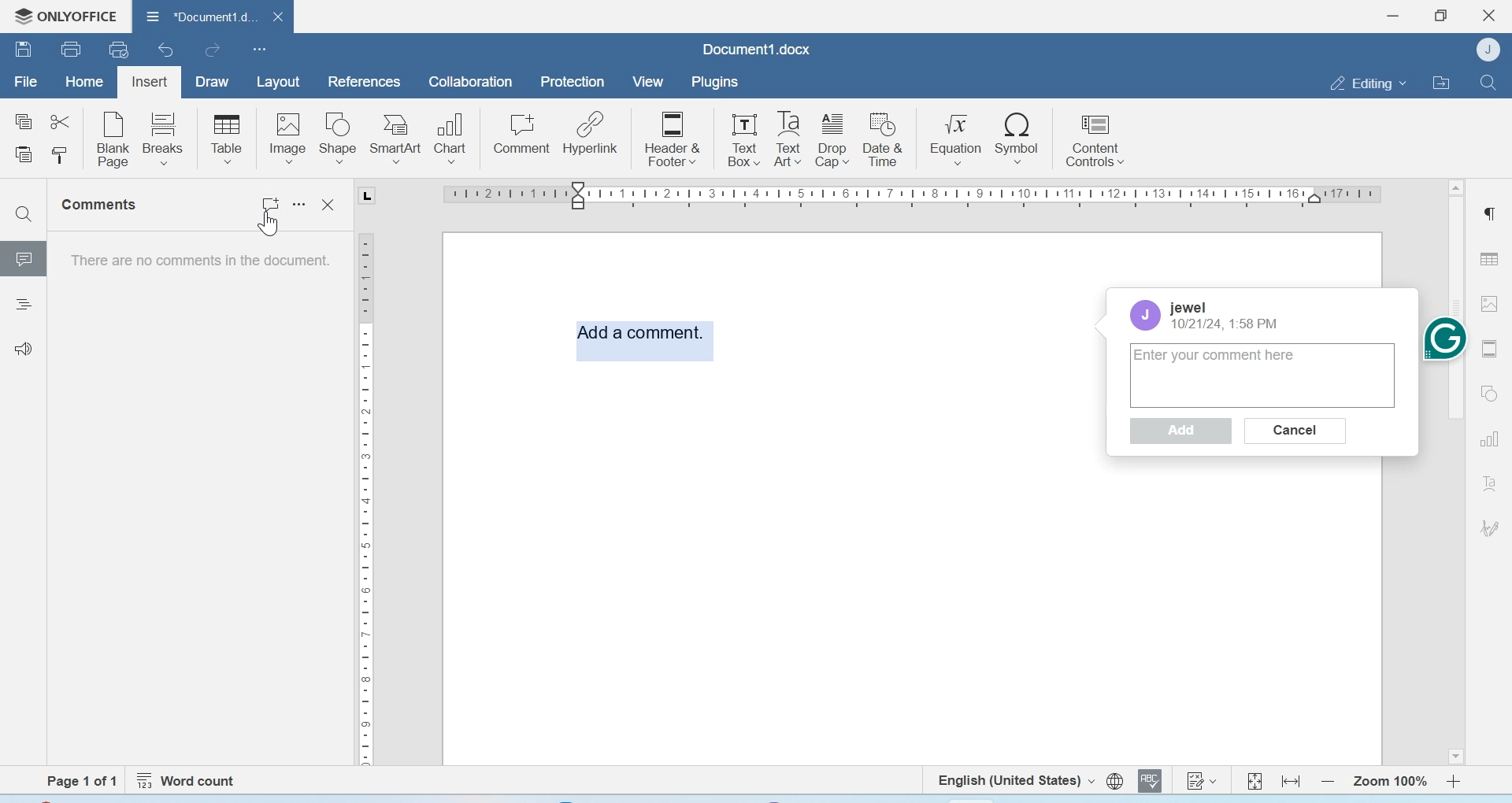  I want to click on breaks, so click(164, 137).